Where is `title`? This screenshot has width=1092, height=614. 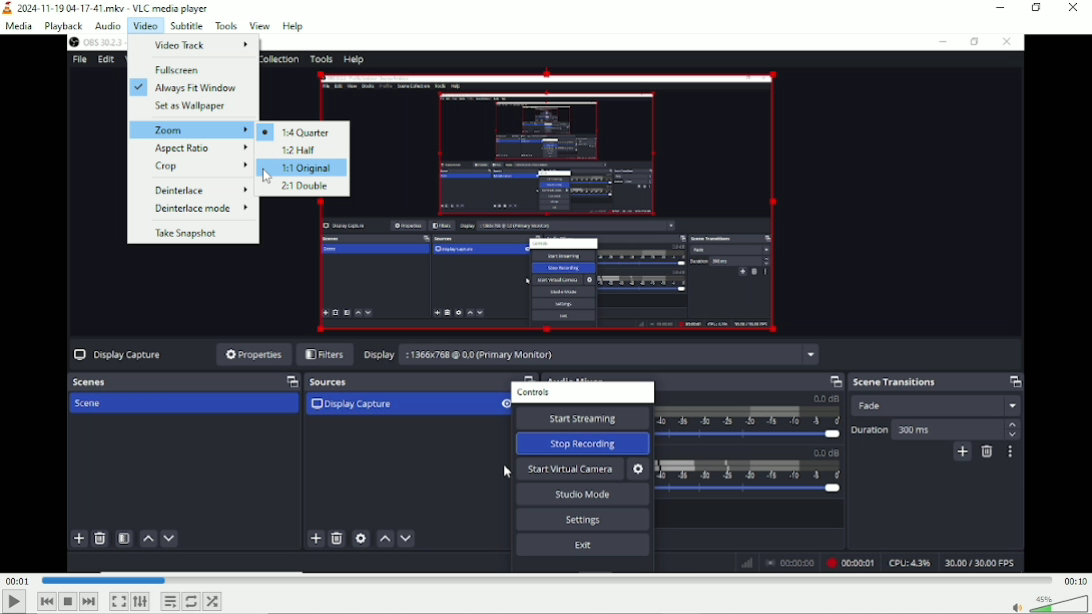 title is located at coordinates (107, 8).